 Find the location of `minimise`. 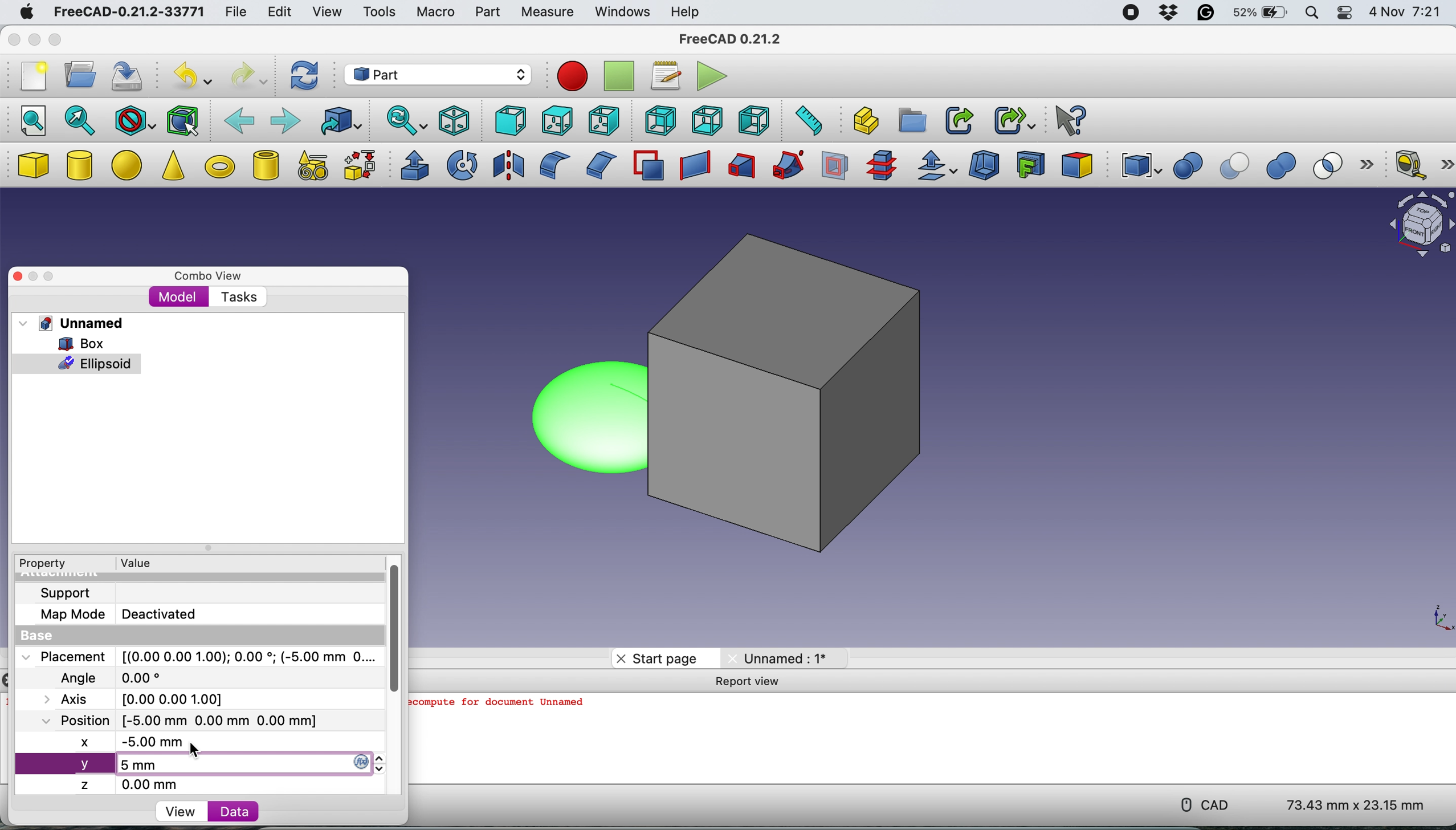

minimise is located at coordinates (35, 276).